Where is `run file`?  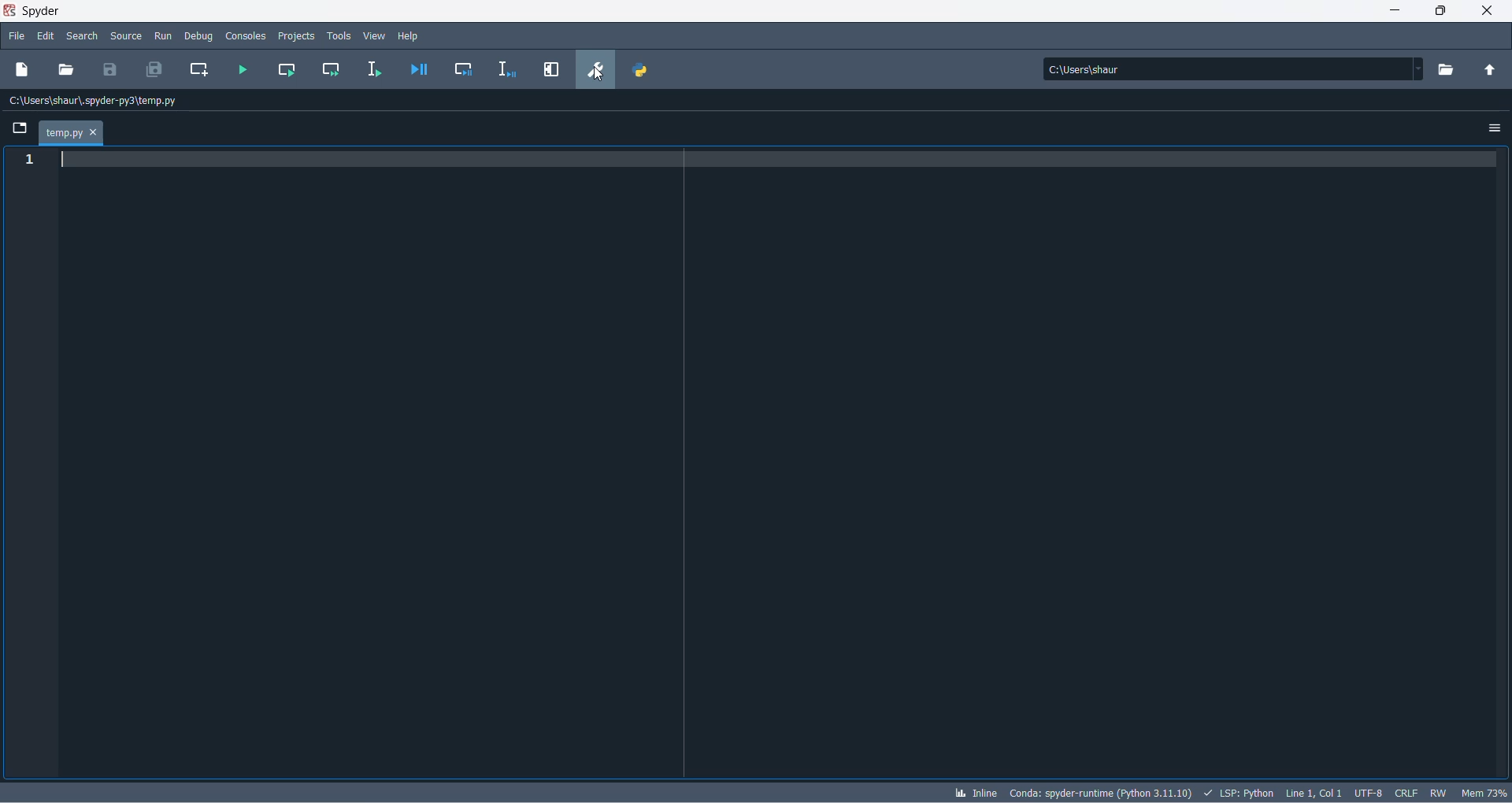 run file is located at coordinates (239, 70).